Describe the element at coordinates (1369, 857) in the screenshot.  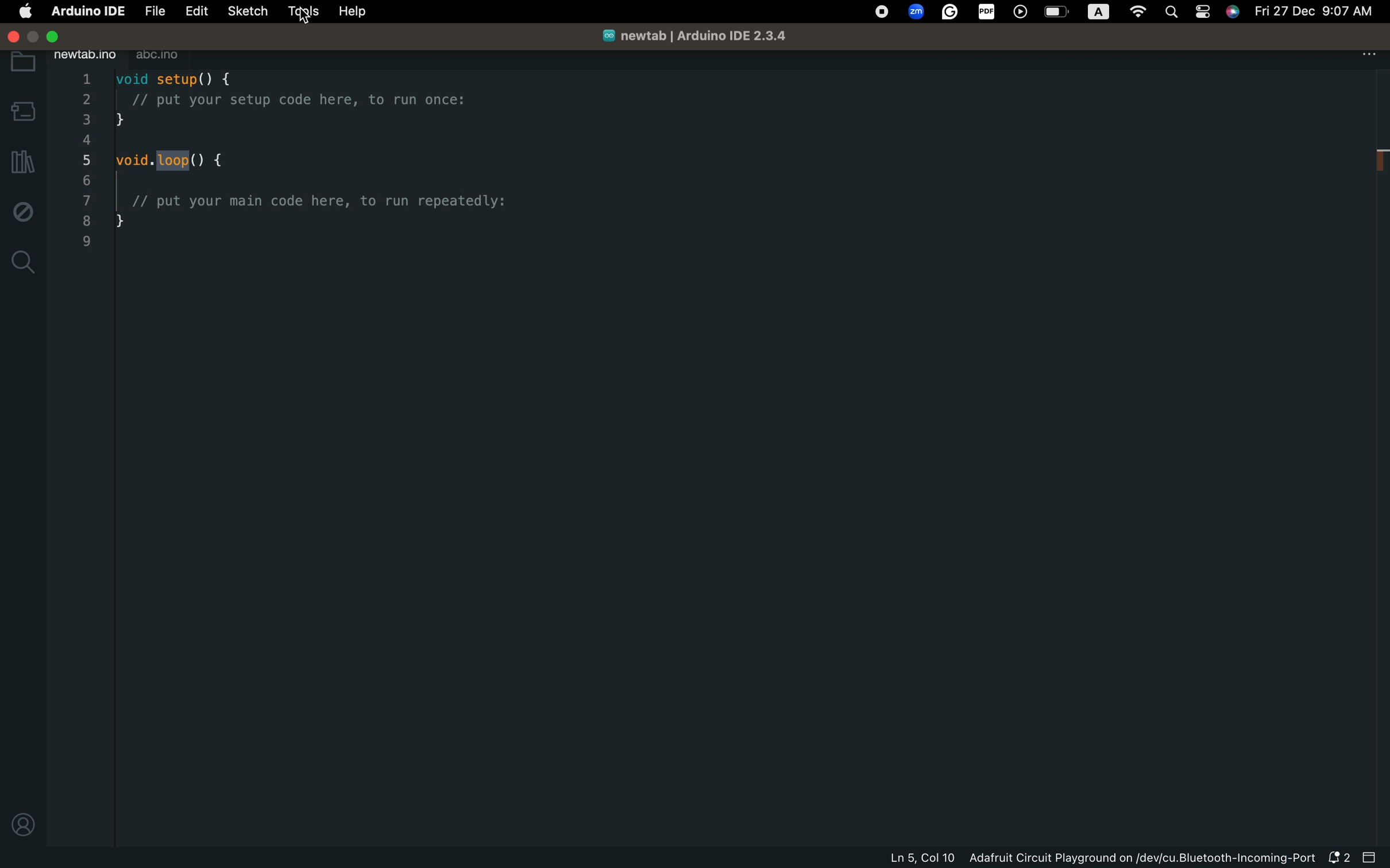
I see `close slide bar` at that location.